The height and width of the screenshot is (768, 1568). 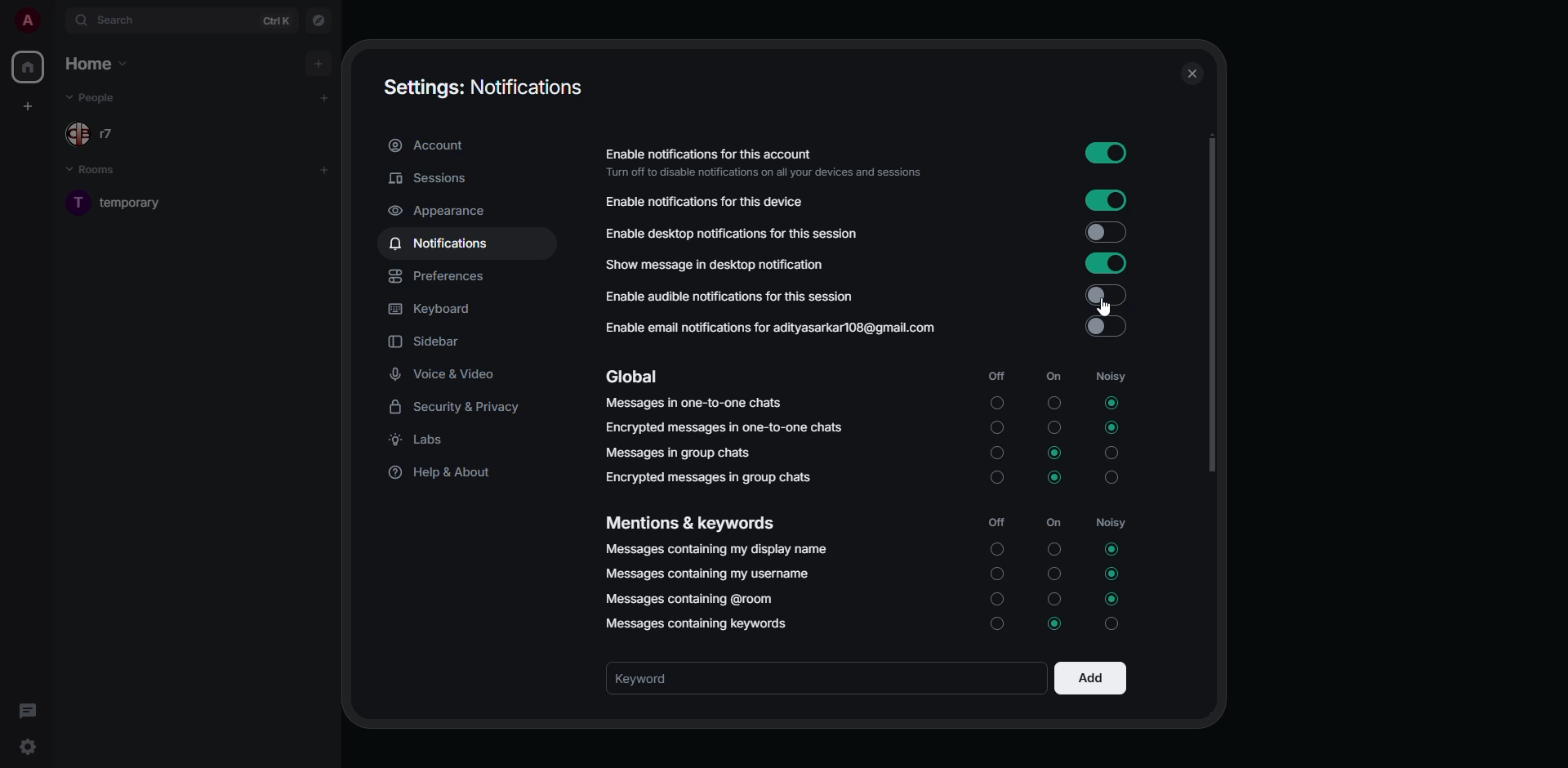 I want to click on create space, so click(x=28, y=105).